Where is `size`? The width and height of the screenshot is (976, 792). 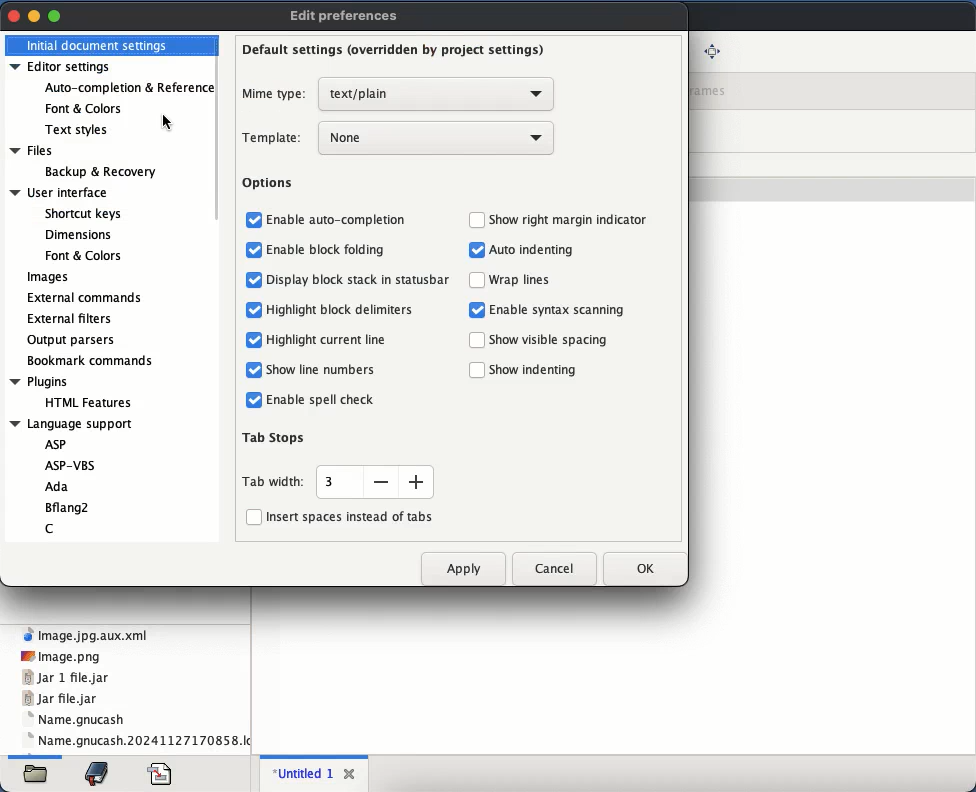
size is located at coordinates (374, 481).